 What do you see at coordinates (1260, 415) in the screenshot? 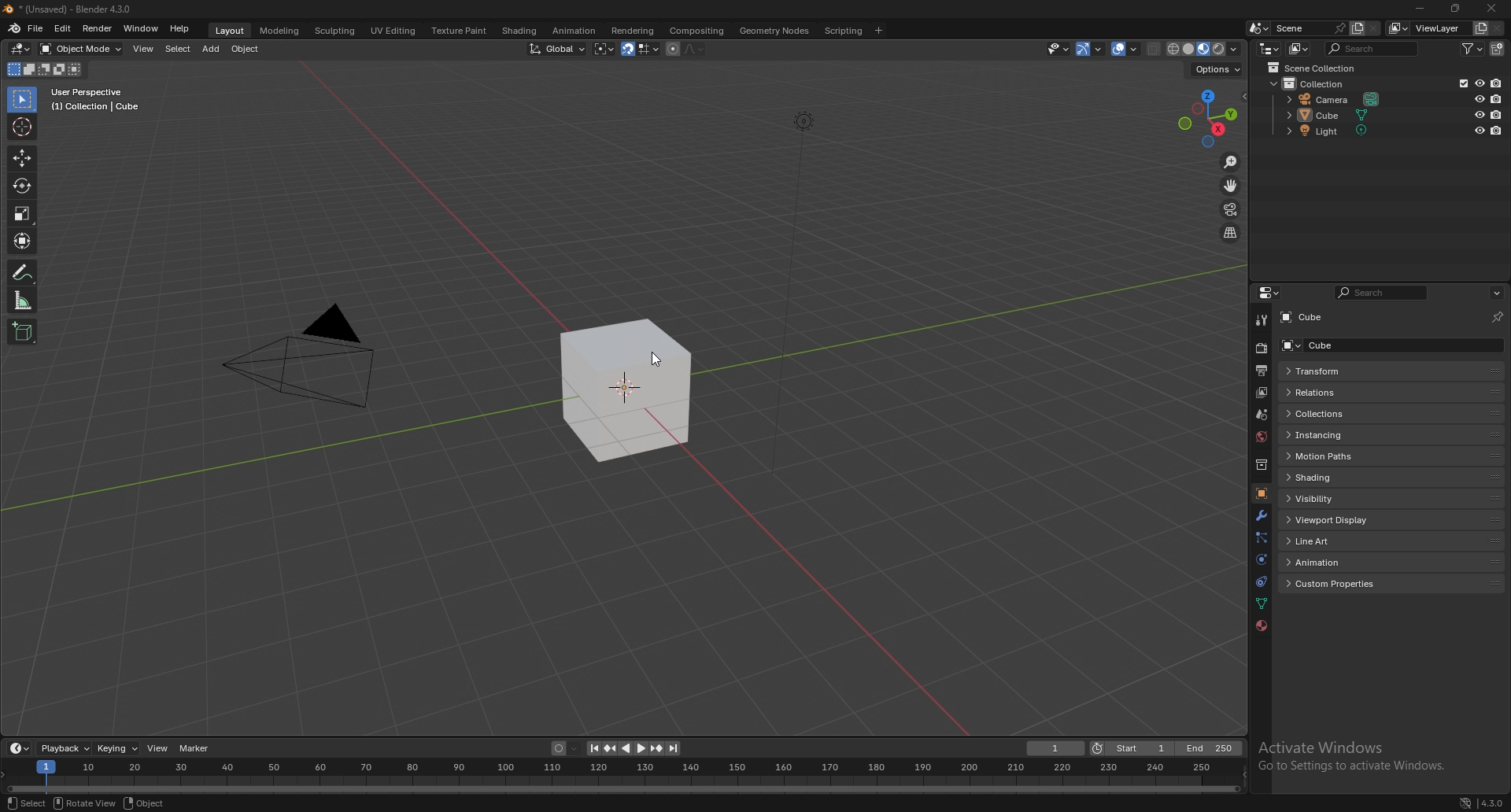
I see `scene` at bounding box center [1260, 415].